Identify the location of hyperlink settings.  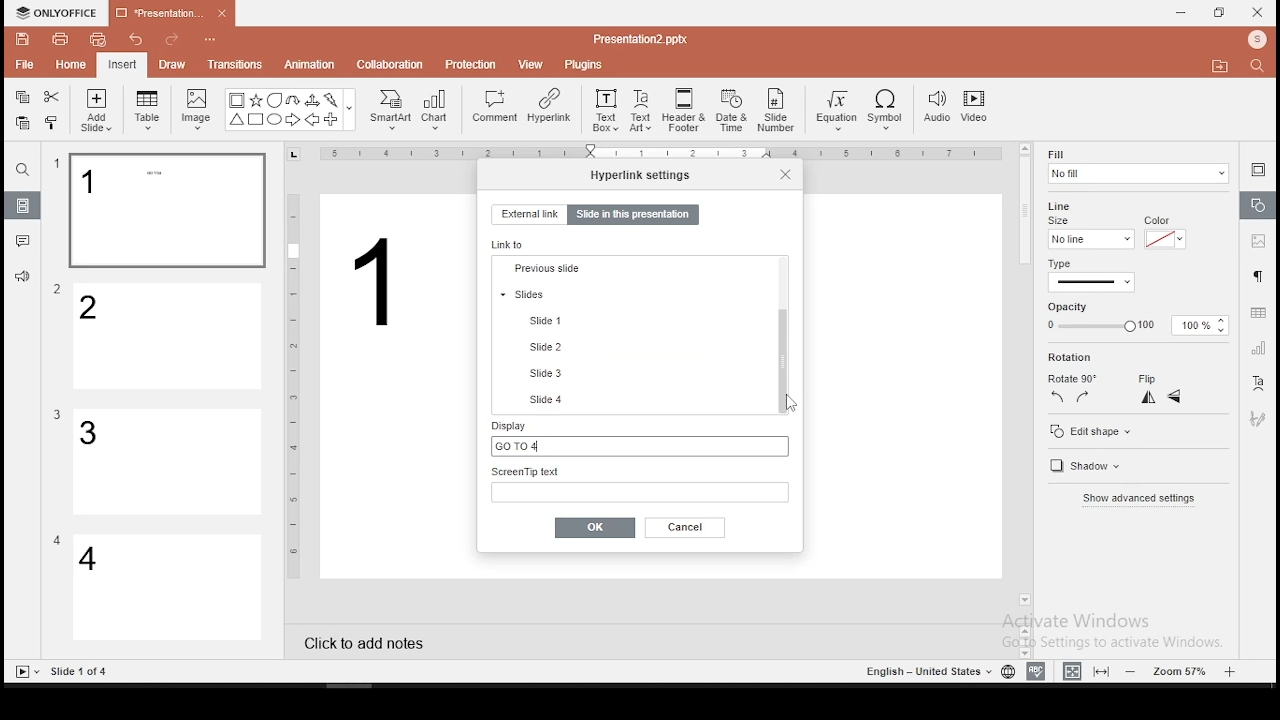
(641, 174).